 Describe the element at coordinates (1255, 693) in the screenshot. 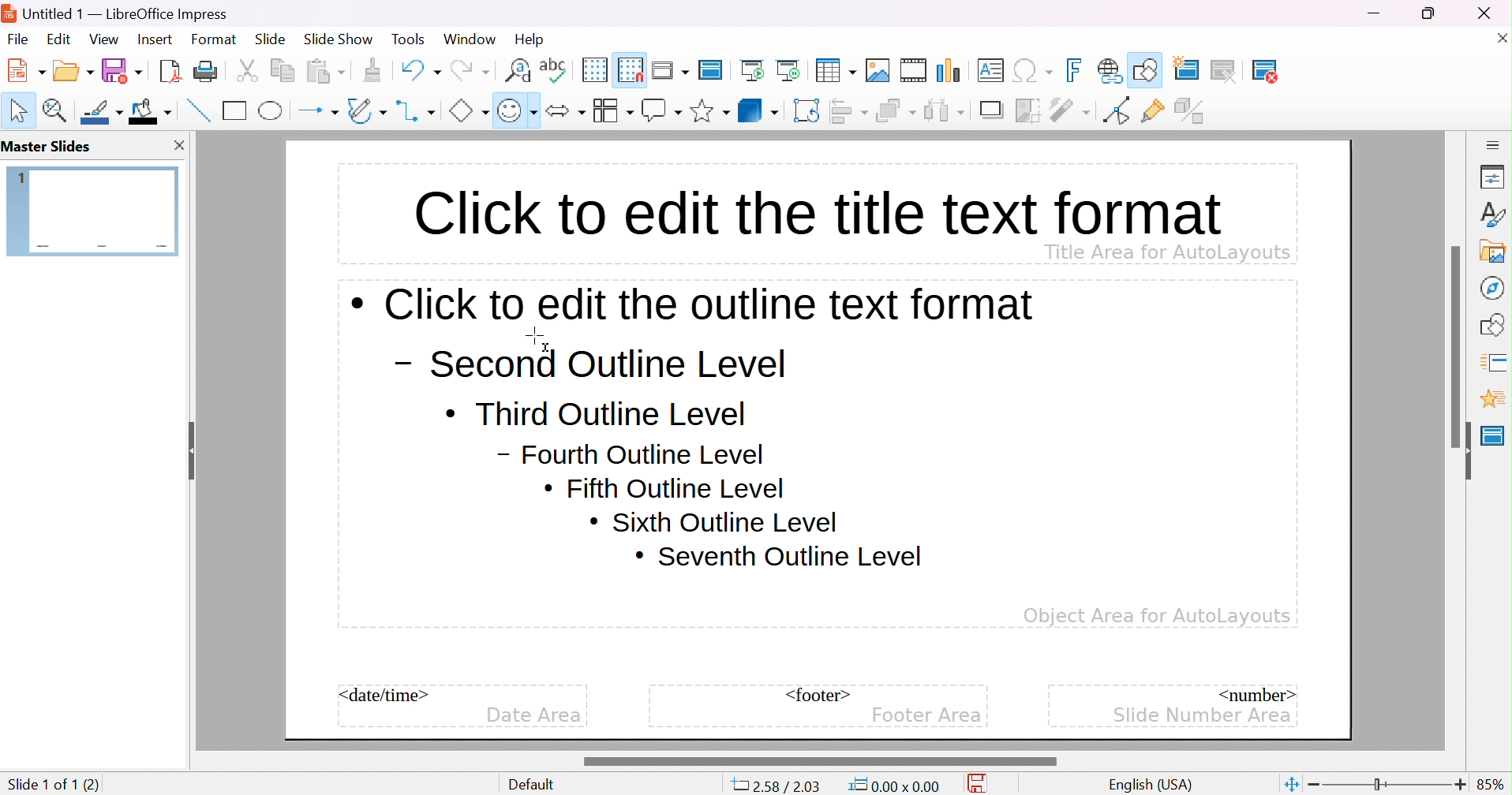

I see `<number>` at that location.